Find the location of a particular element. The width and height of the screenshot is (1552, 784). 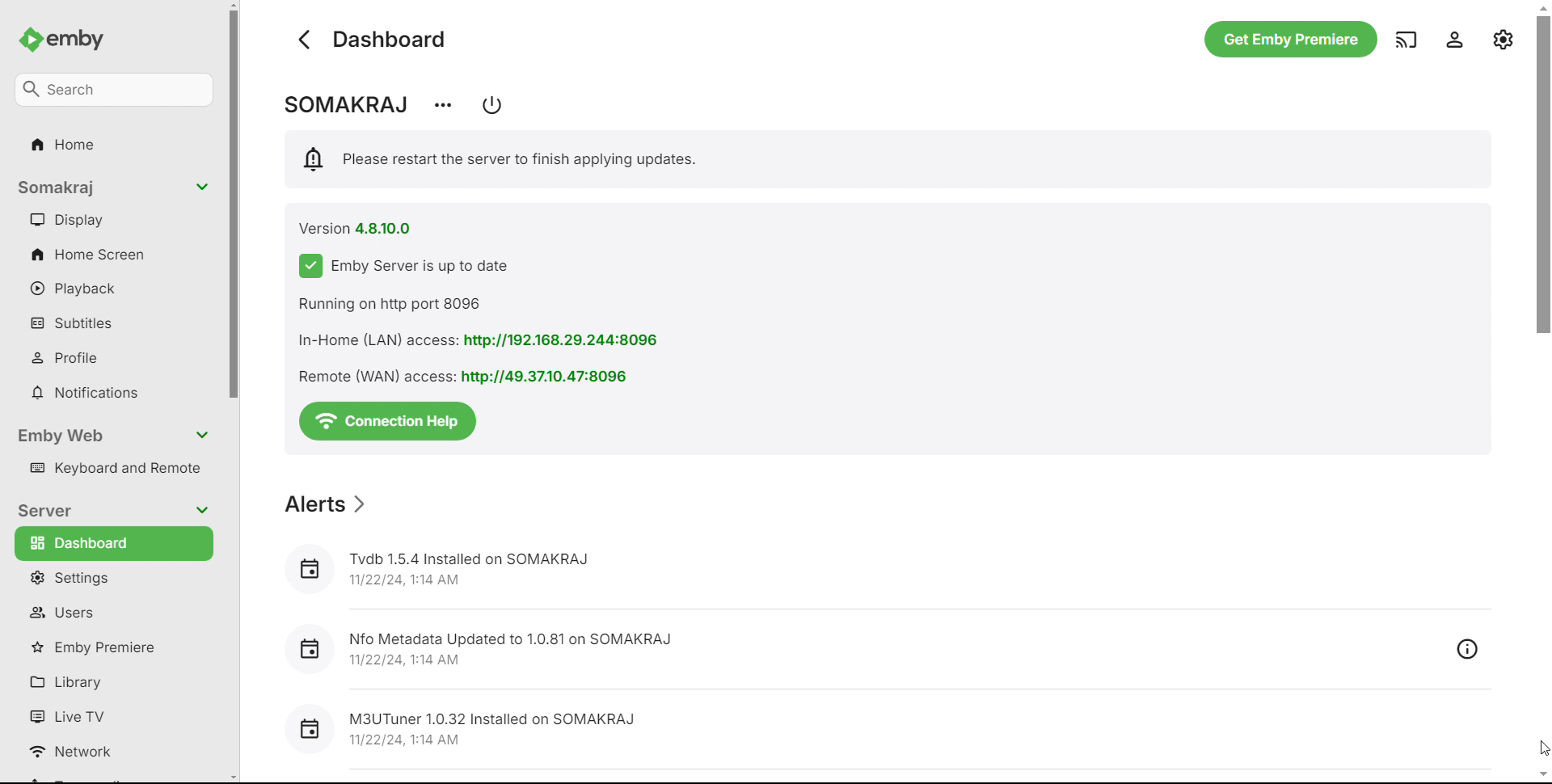

playback is located at coordinates (115, 287).